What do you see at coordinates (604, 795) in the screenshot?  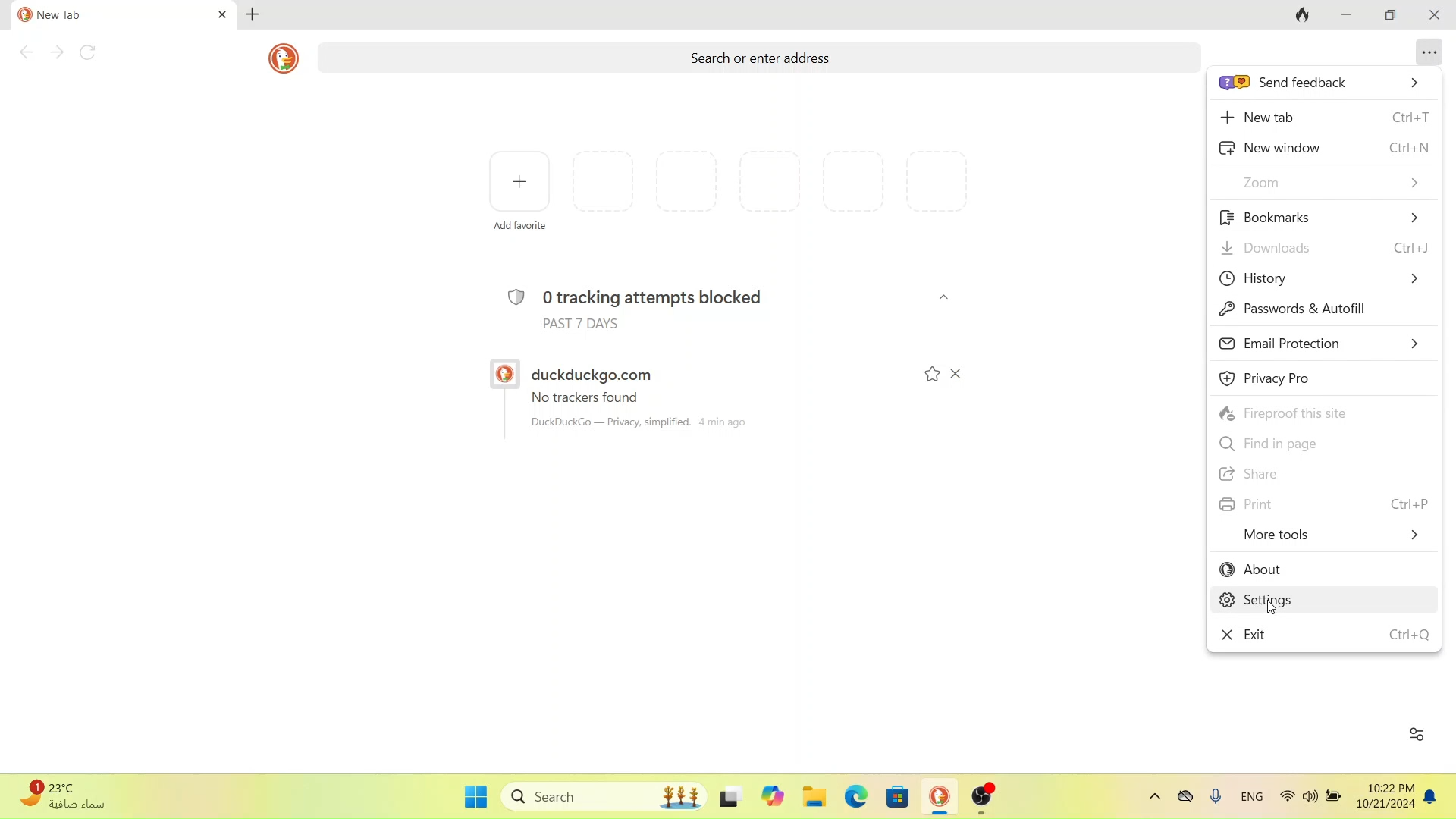 I see `search` at bounding box center [604, 795].